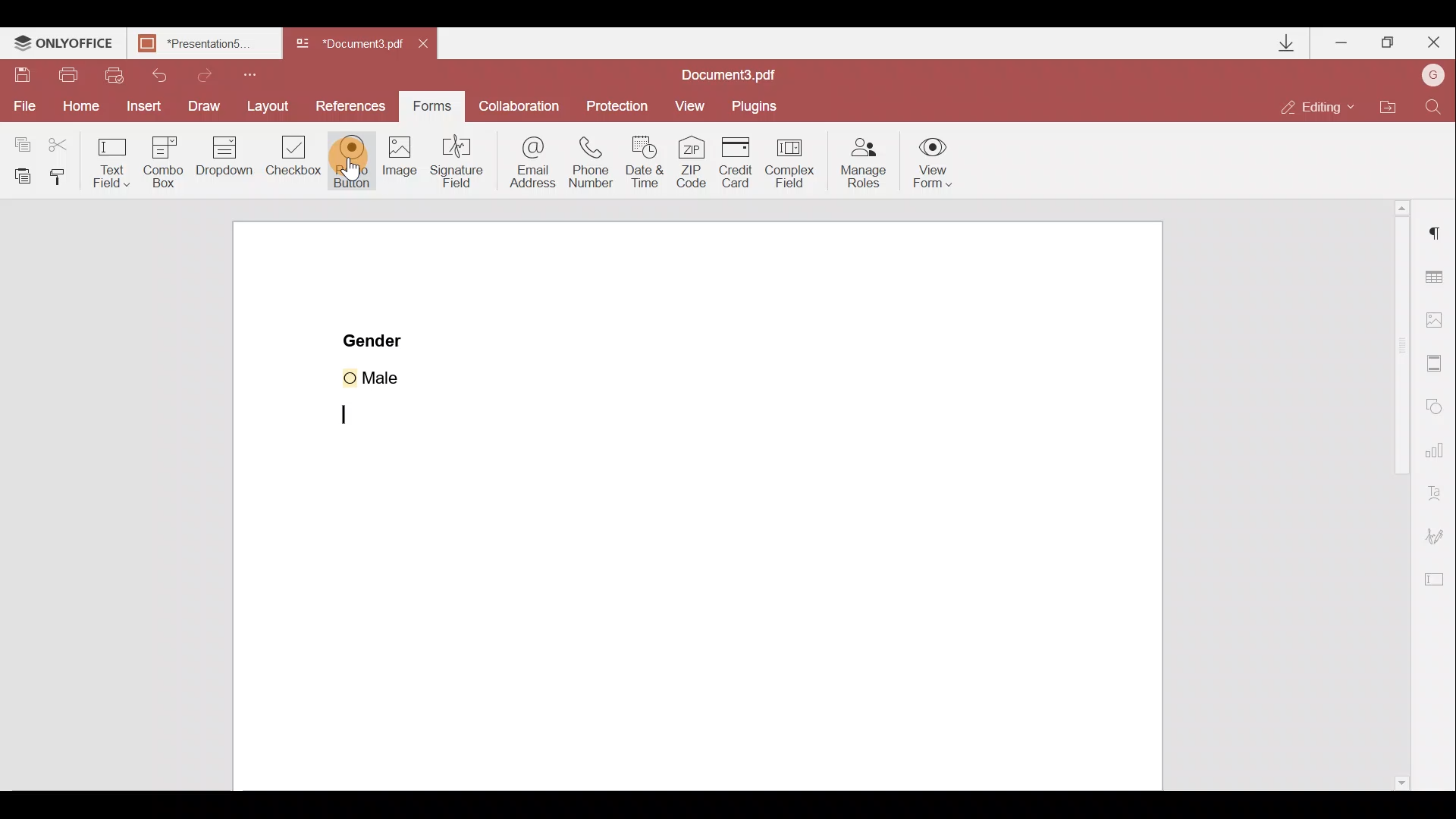 The height and width of the screenshot is (819, 1456). What do you see at coordinates (142, 108) in the screenshot?
I see `Insert` at bounding box center [142, 108].